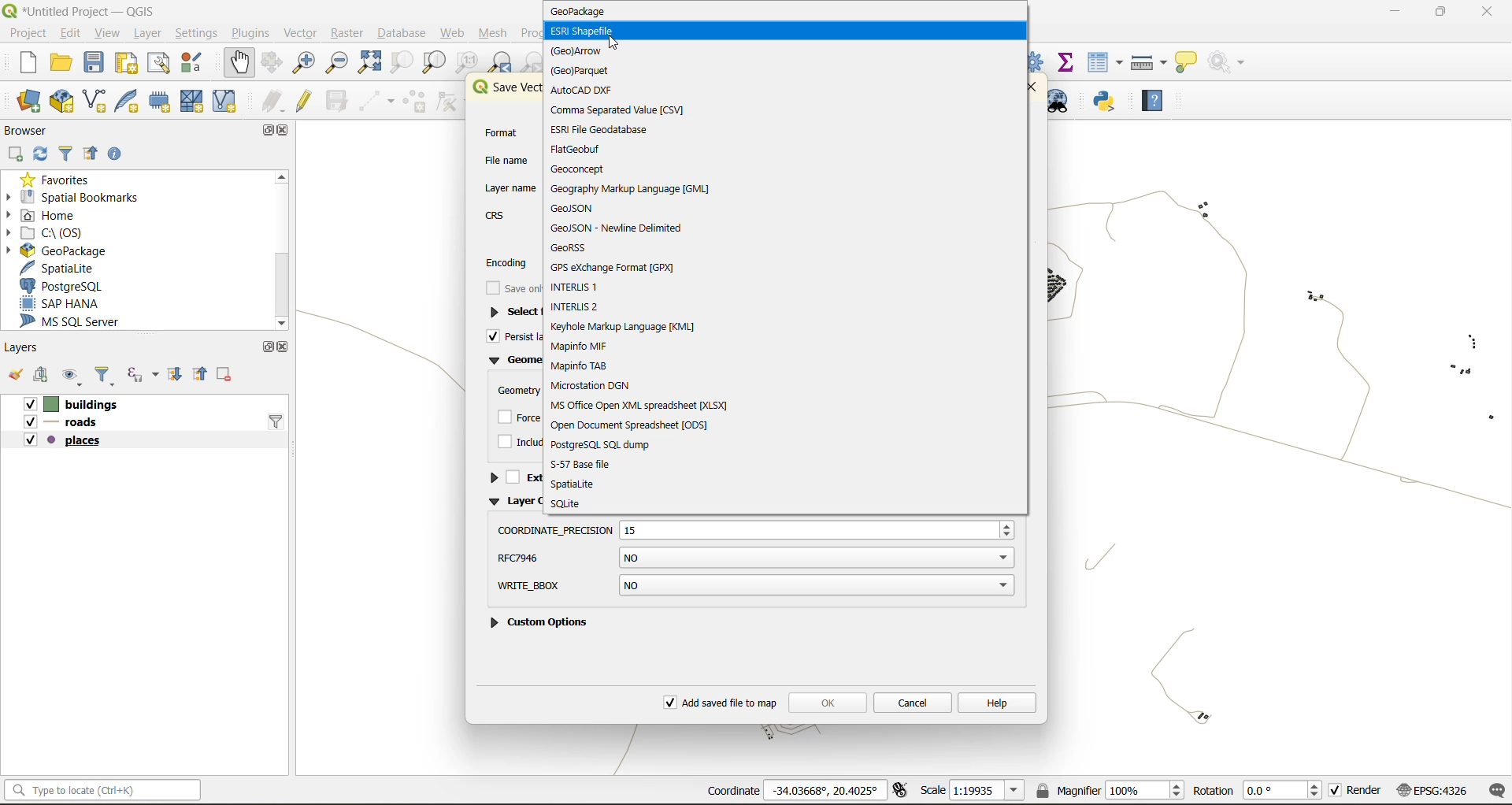  What do you see at coordinates (756, 587) in the screenshot?
I see `write bbox` at bounding box center [756, 587].